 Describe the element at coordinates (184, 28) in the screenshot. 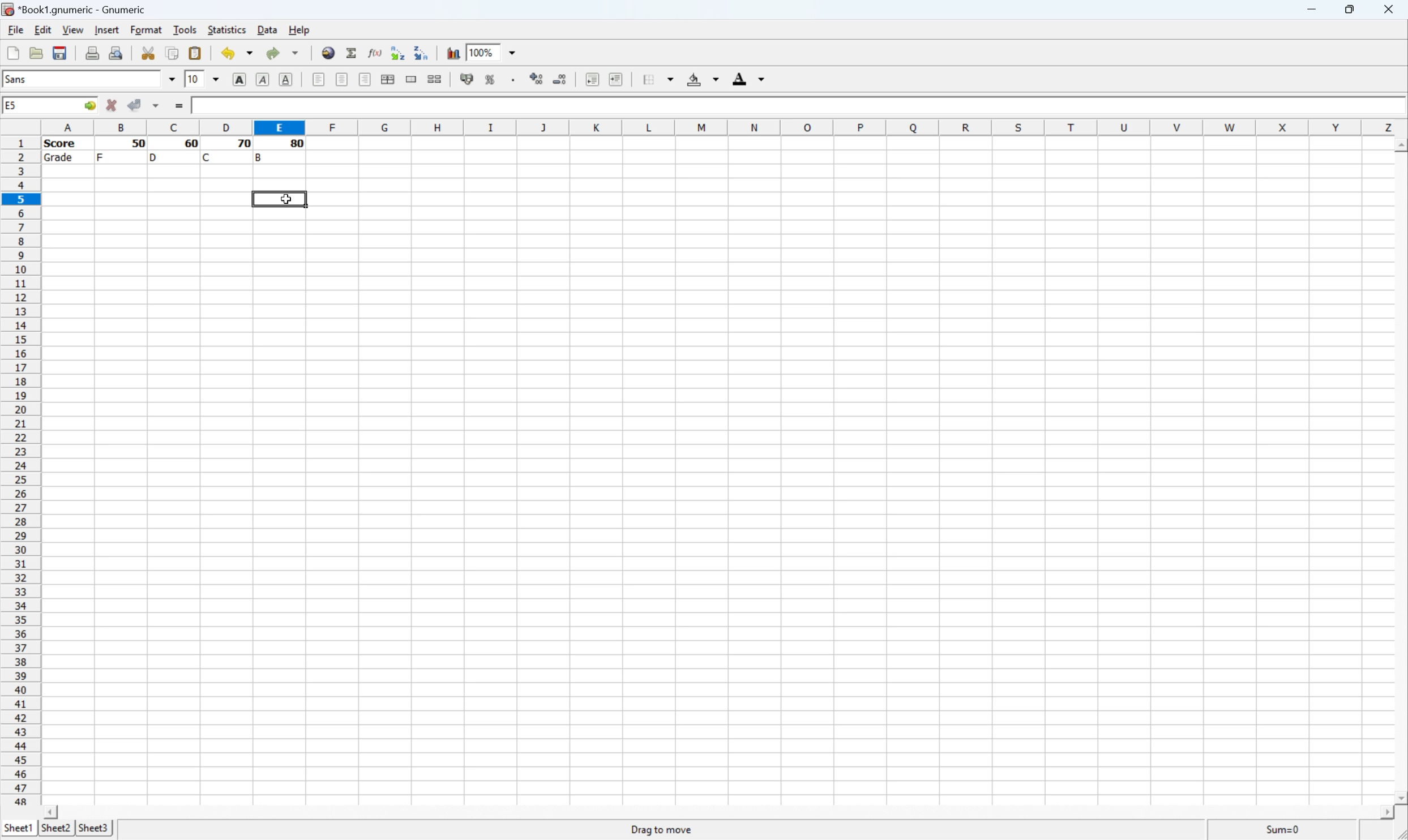

I see `Tools` at that location.